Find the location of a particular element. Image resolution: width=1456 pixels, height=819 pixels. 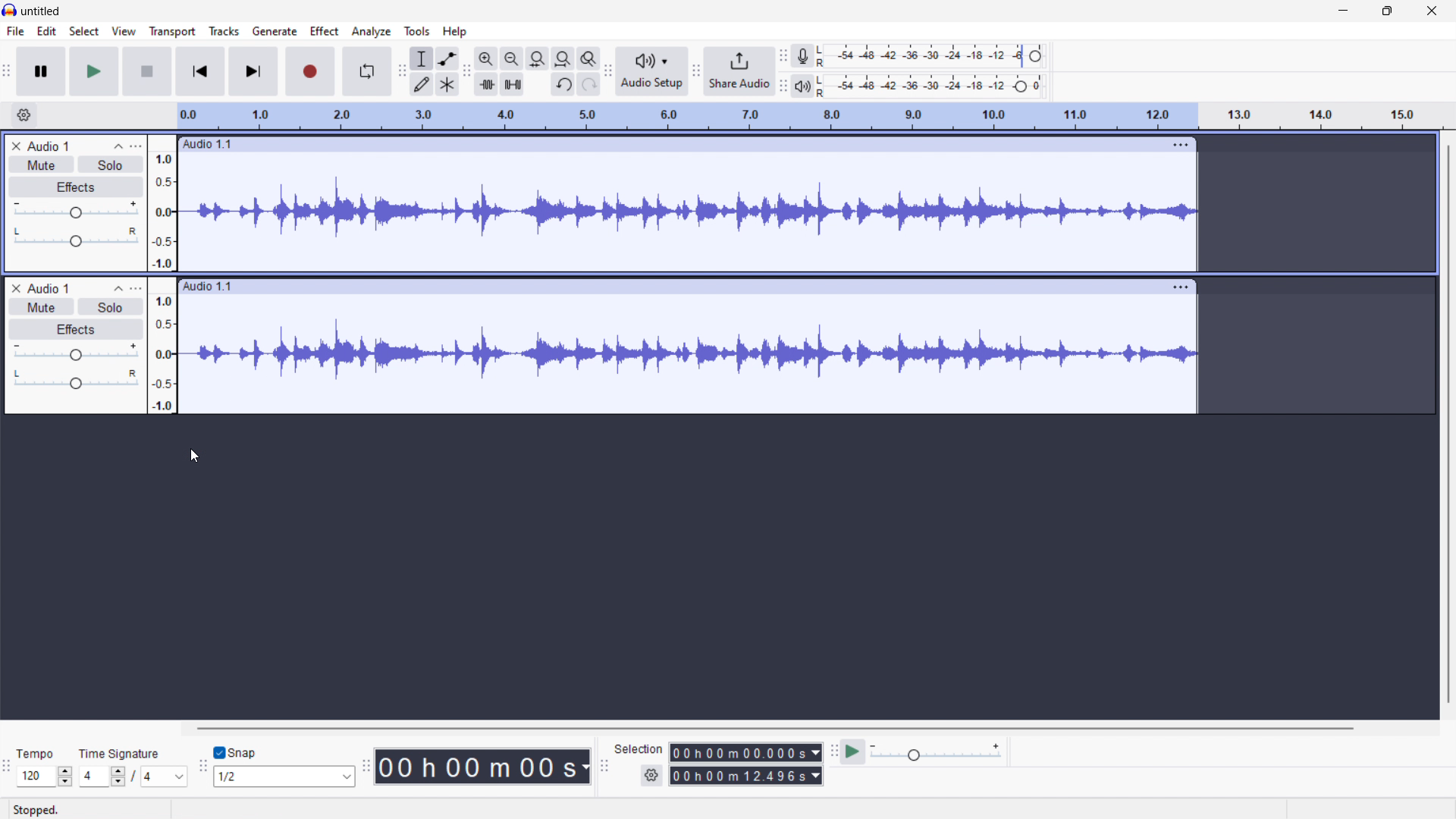

tracks is located at coordinates (224, 31).